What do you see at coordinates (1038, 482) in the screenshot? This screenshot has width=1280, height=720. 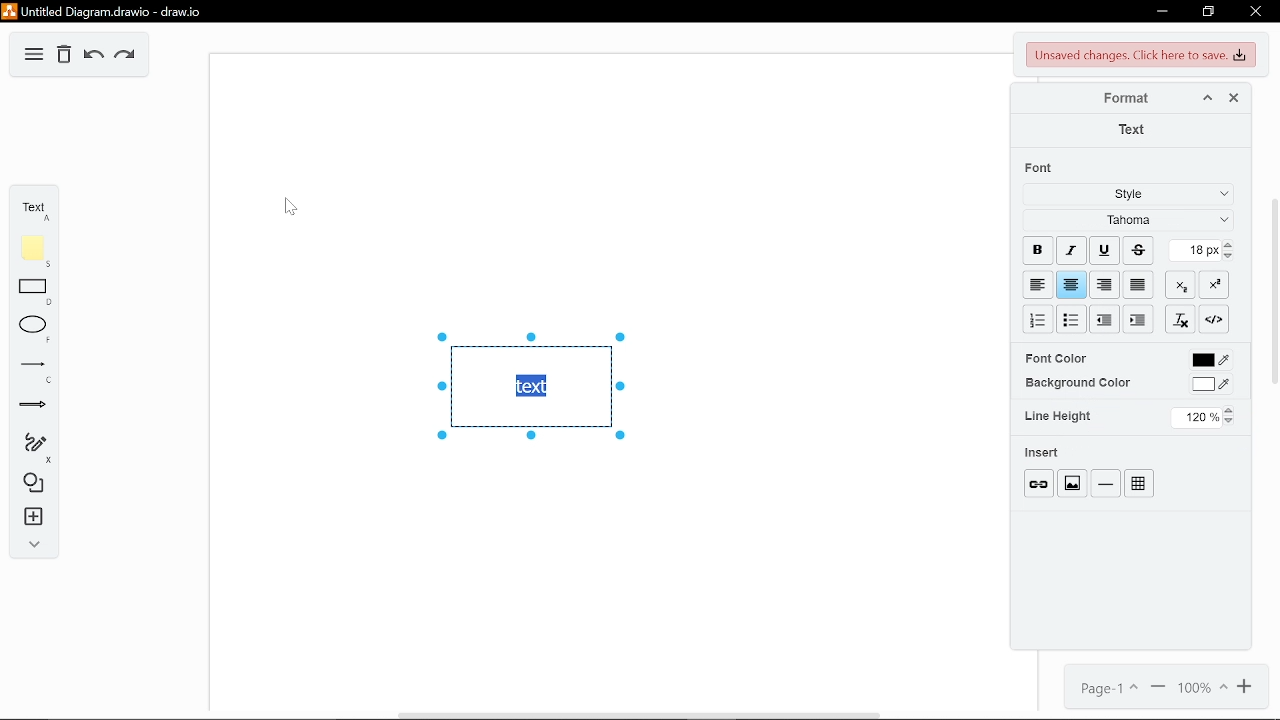 I see `link` at bounding box center [1038, 482].